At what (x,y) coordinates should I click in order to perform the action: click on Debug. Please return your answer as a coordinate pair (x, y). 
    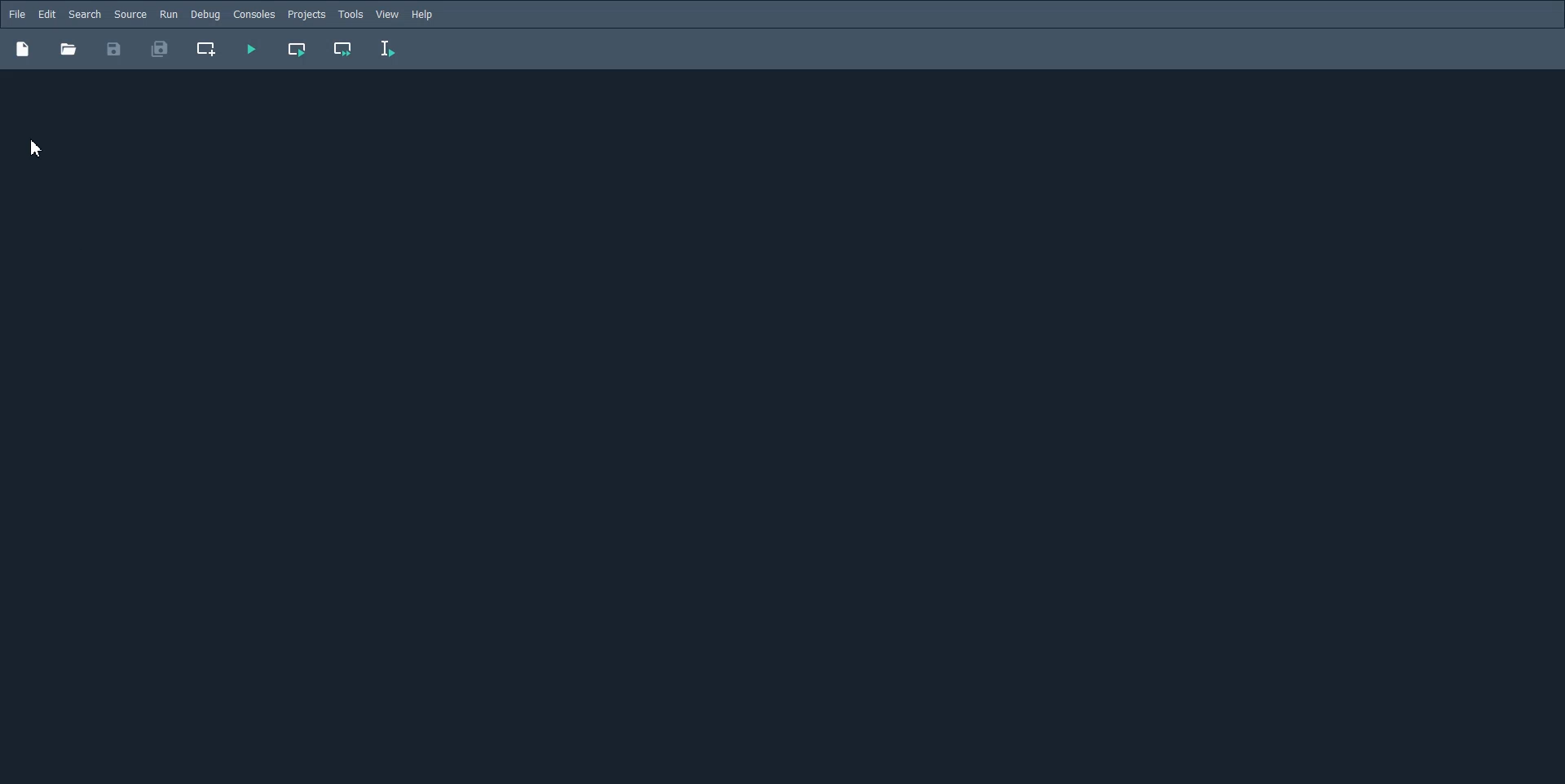
    Looking at the image, I should click on (205, 14).